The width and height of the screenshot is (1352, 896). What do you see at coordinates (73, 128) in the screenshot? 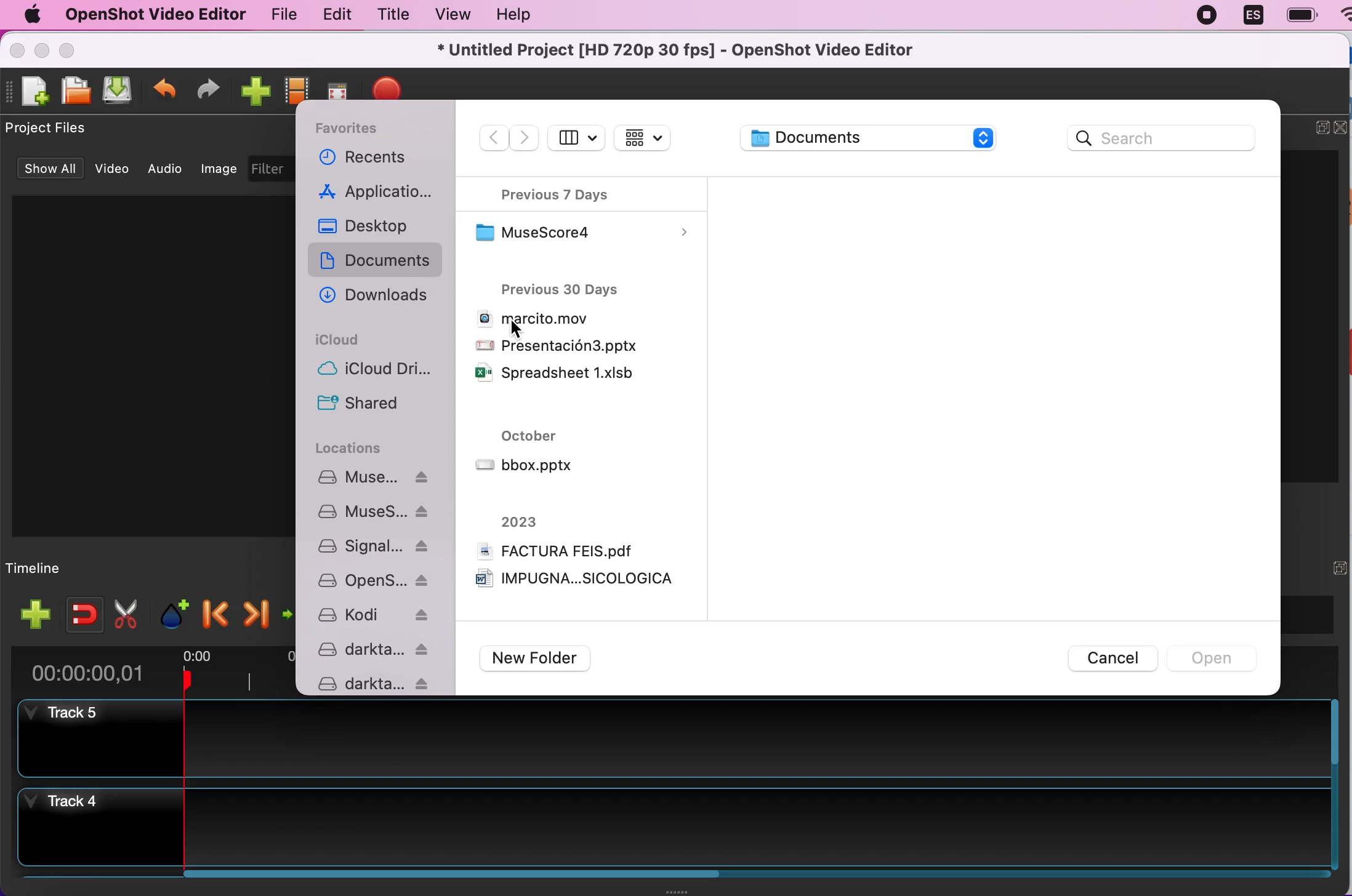
I see `project files` at bounding box center [73, 128].